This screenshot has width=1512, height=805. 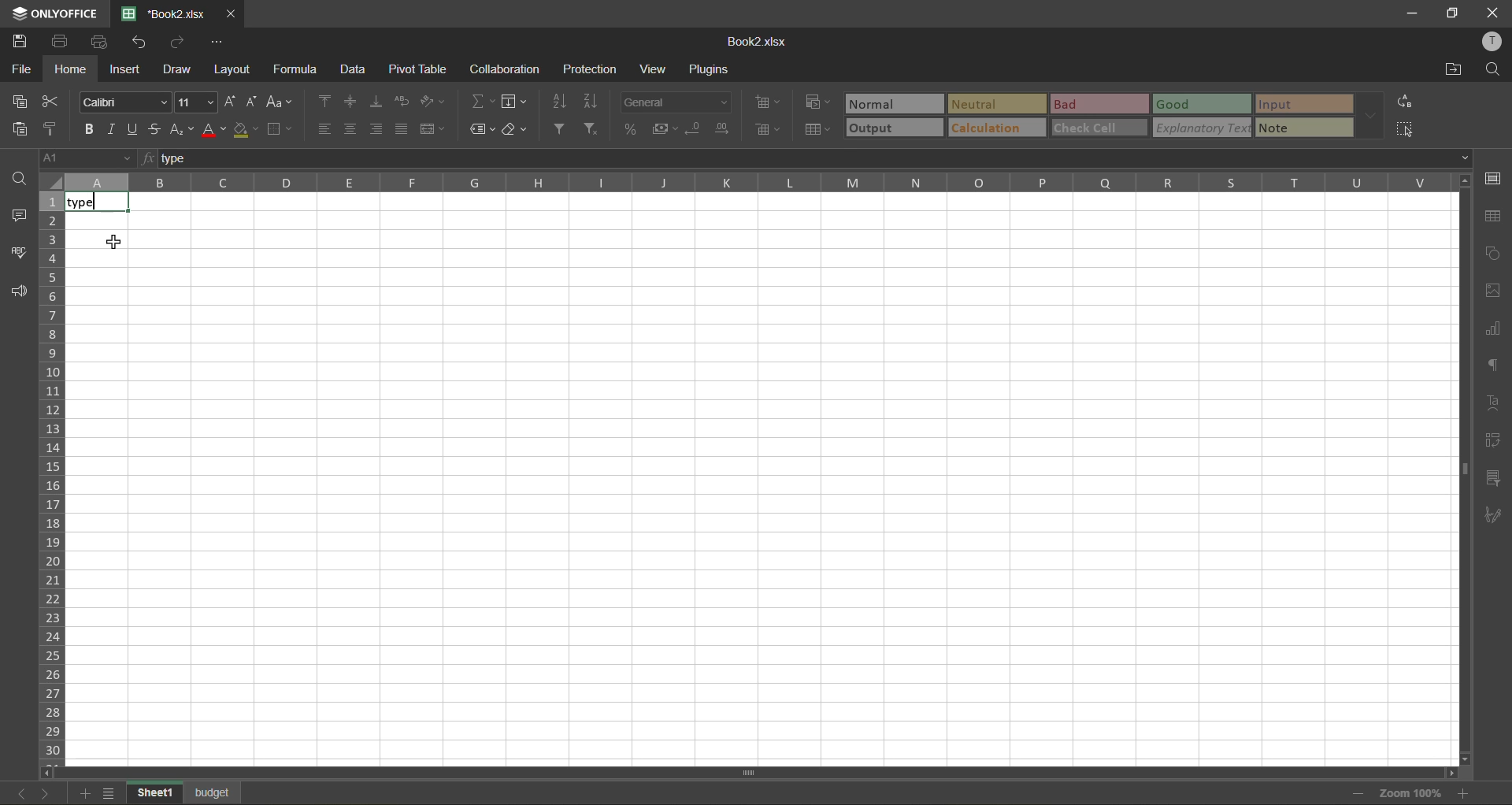 I want to click on comments, so click(x=17, y=218).